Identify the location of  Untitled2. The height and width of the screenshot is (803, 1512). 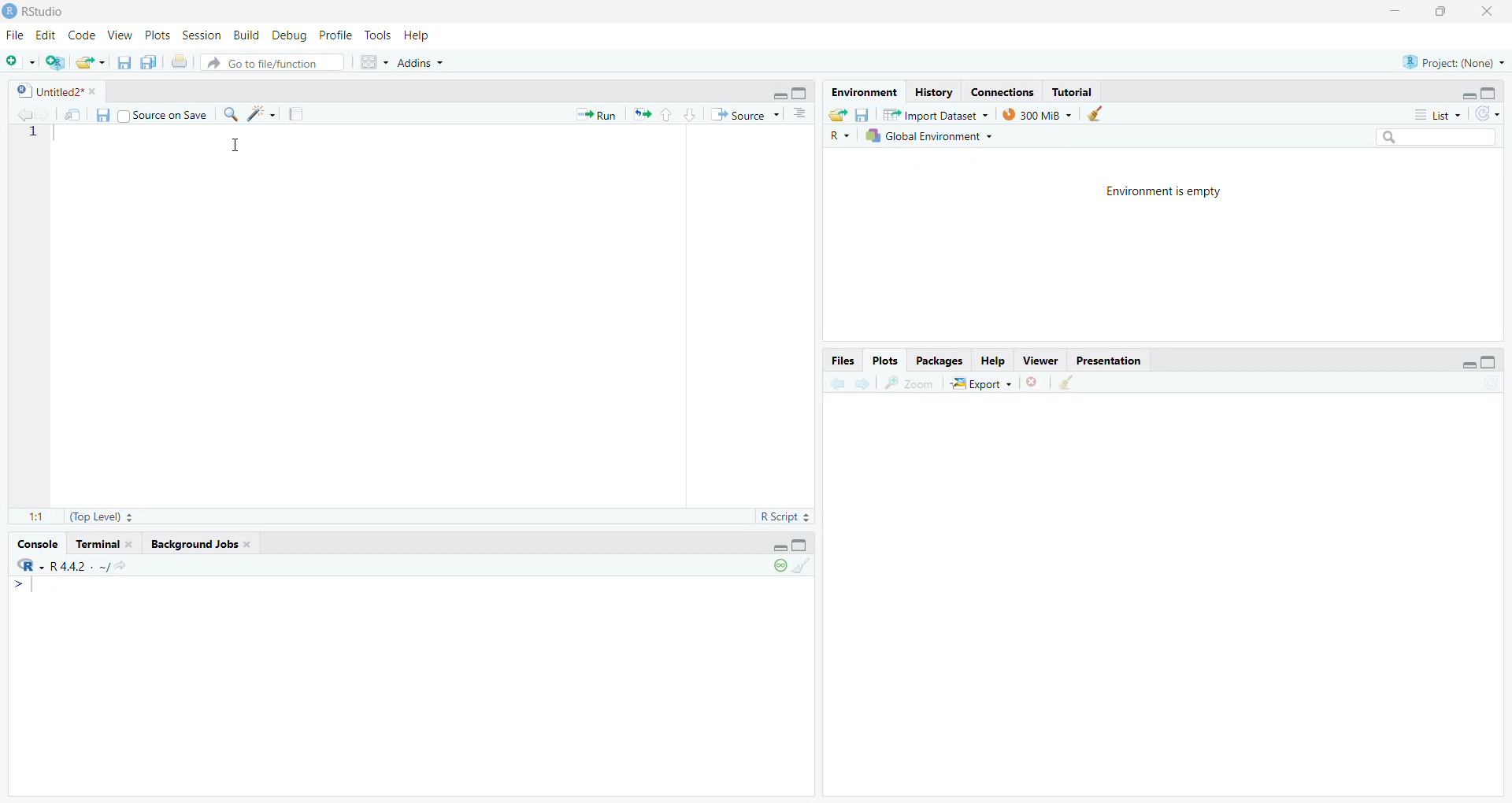
(60, 93).